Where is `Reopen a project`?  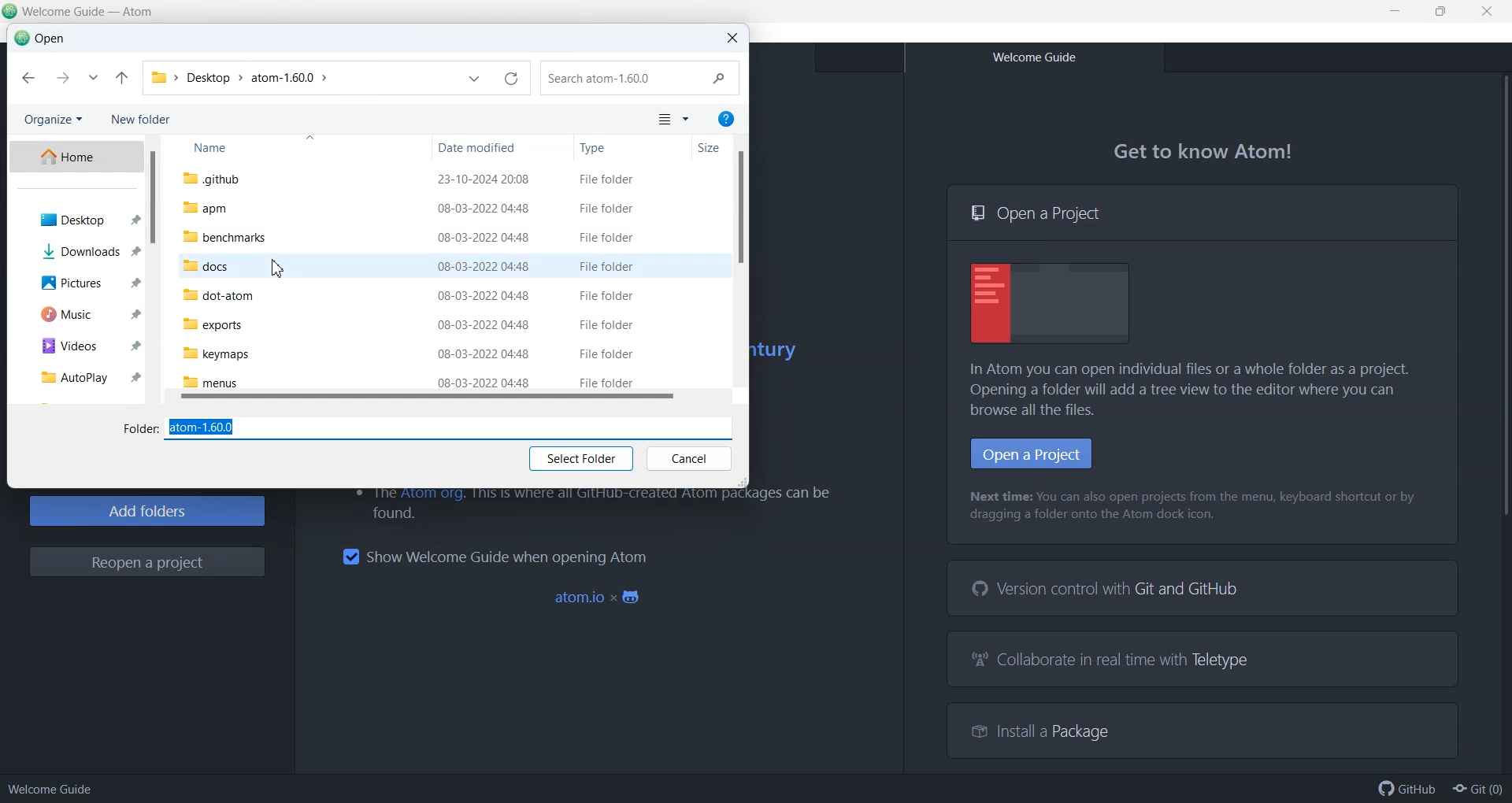 Reopen a project is located at coordinates (147, 562).